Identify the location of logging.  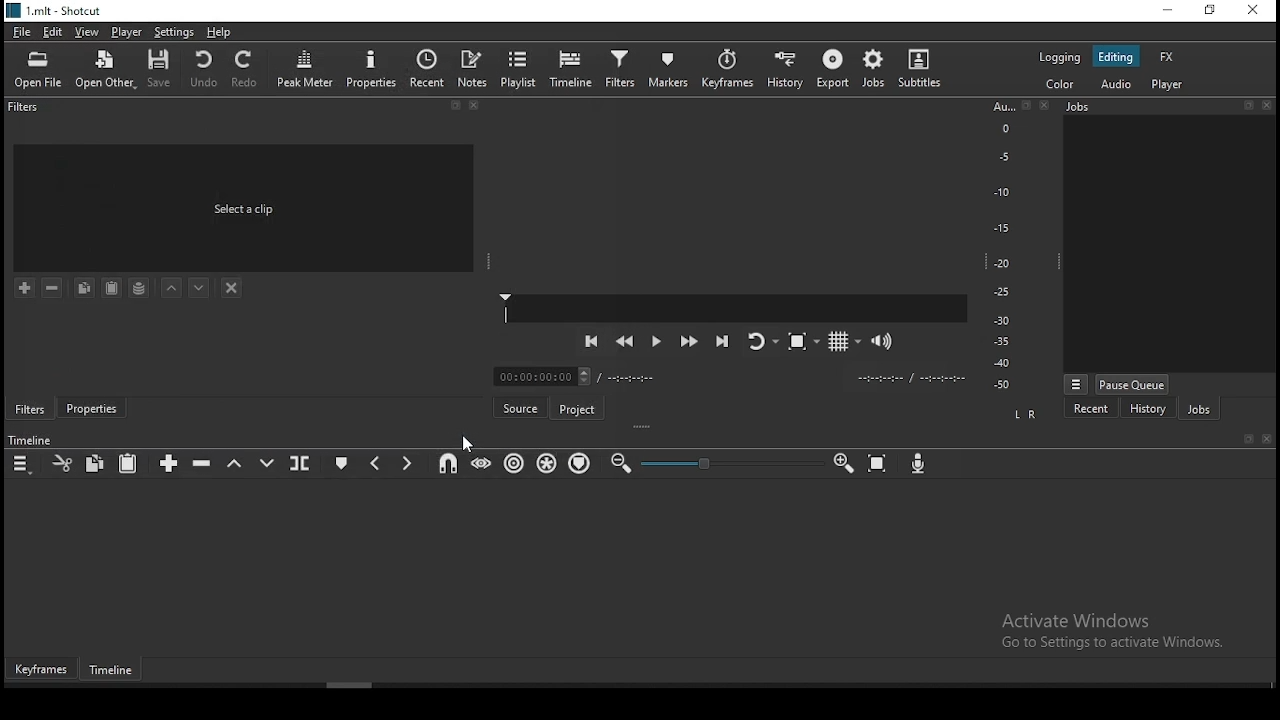
(1058, 57).